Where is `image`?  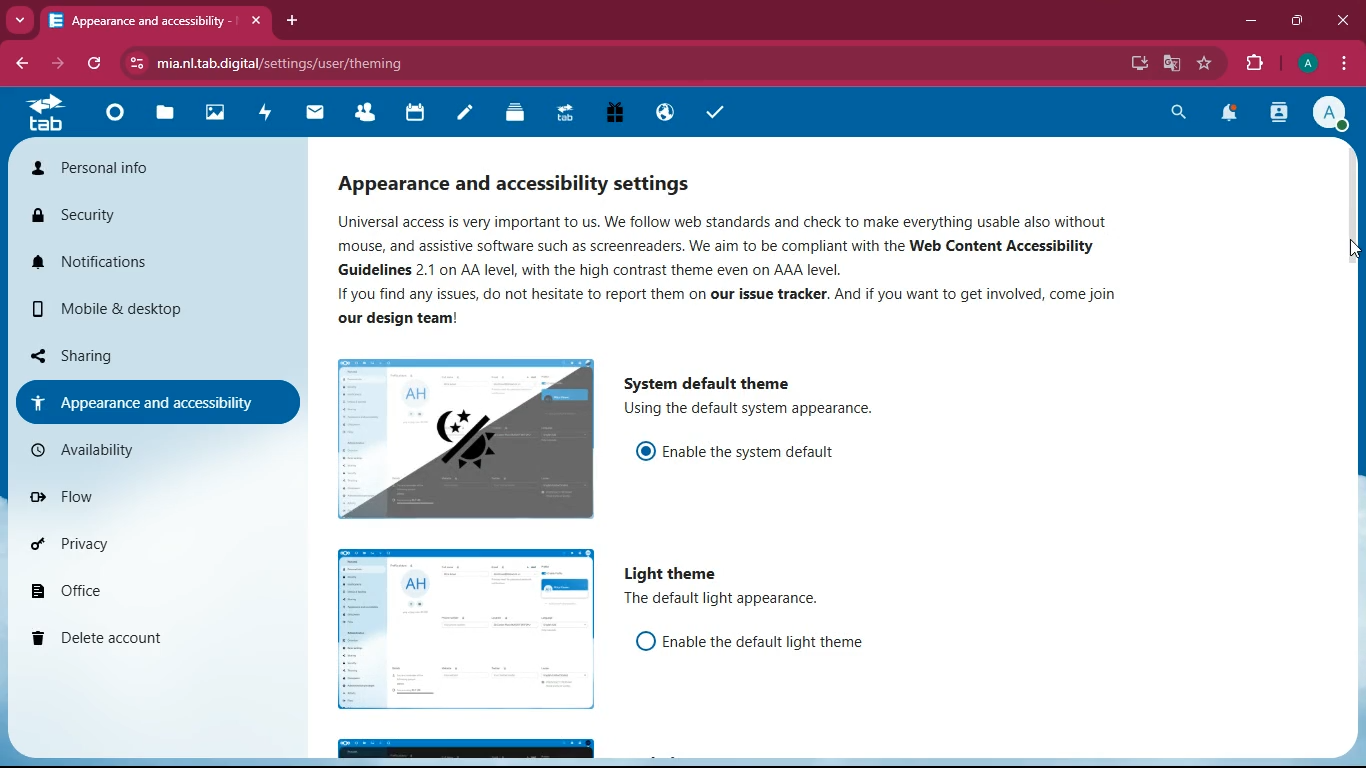 image is located at coordinates (468, 441).